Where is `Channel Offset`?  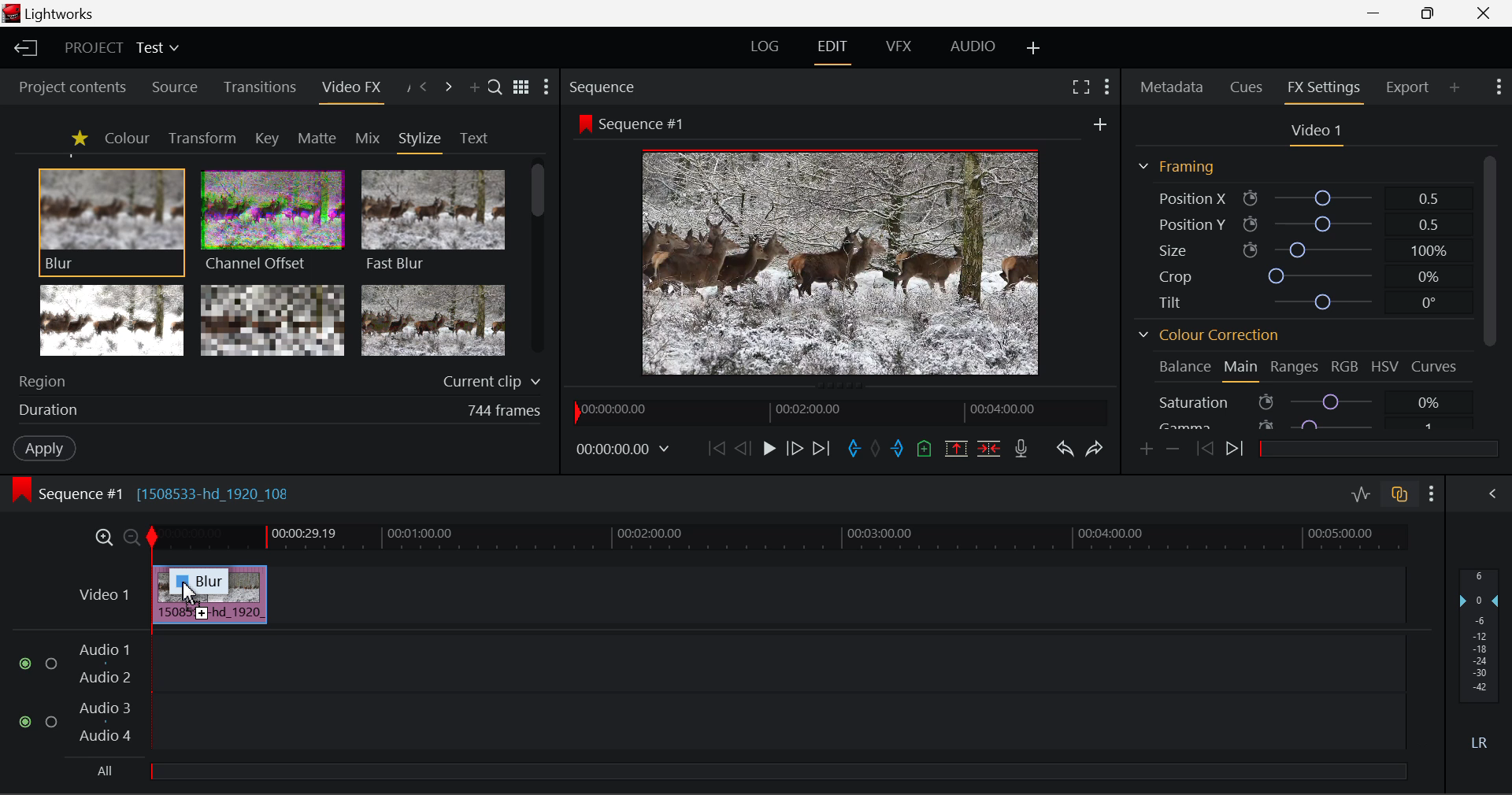
Channel Offset is located at coordinates (269, 219).